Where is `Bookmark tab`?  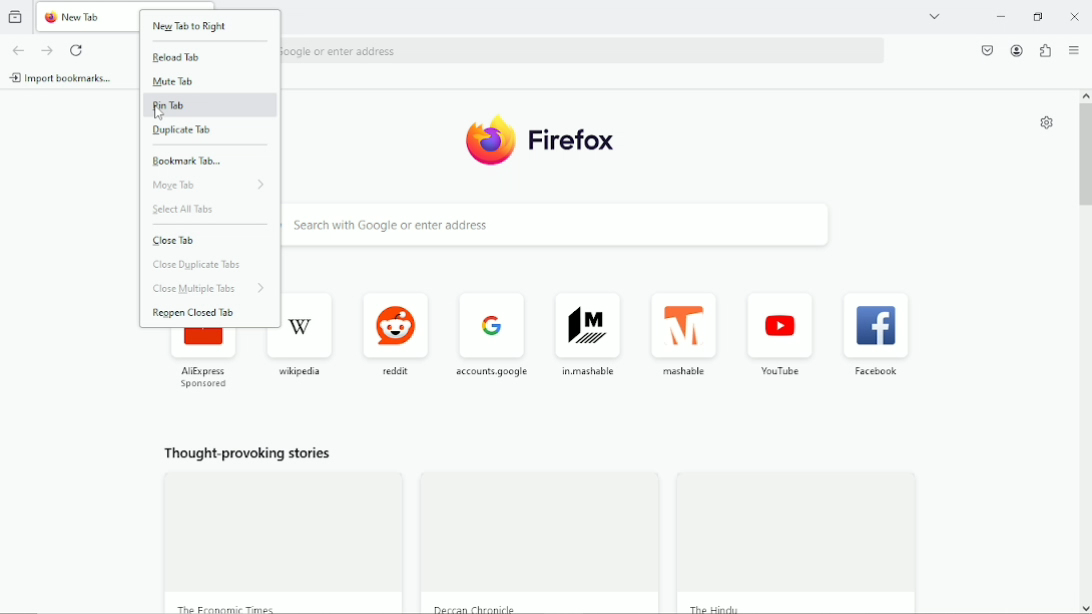
Bookmark tab is located at coordinates (189, 160).